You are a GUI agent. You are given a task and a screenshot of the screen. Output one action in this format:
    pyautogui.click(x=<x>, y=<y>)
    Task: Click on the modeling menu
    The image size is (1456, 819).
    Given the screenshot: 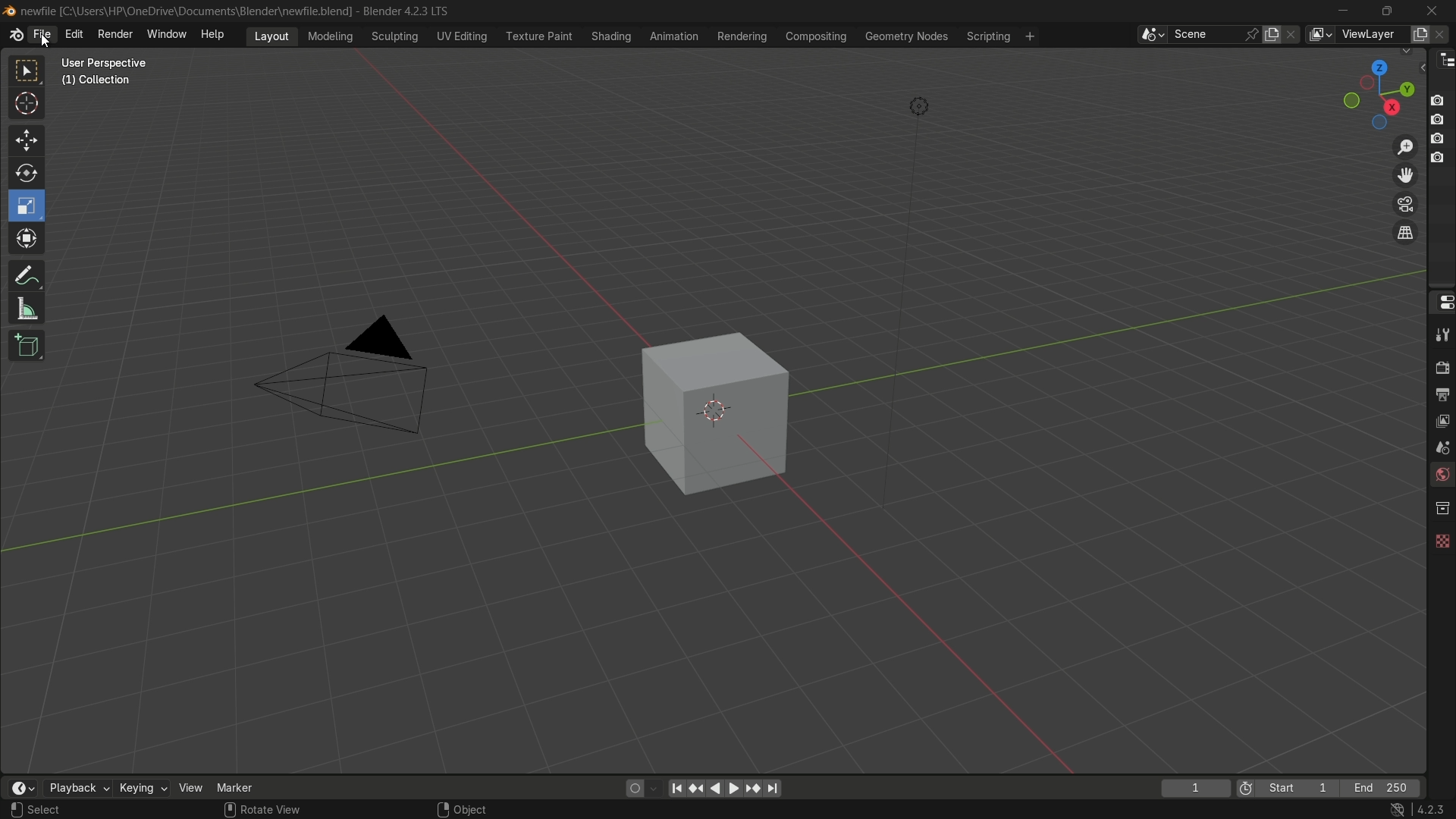 What is the action you would take?
    pyautogui.click(x=331, y=35)
    